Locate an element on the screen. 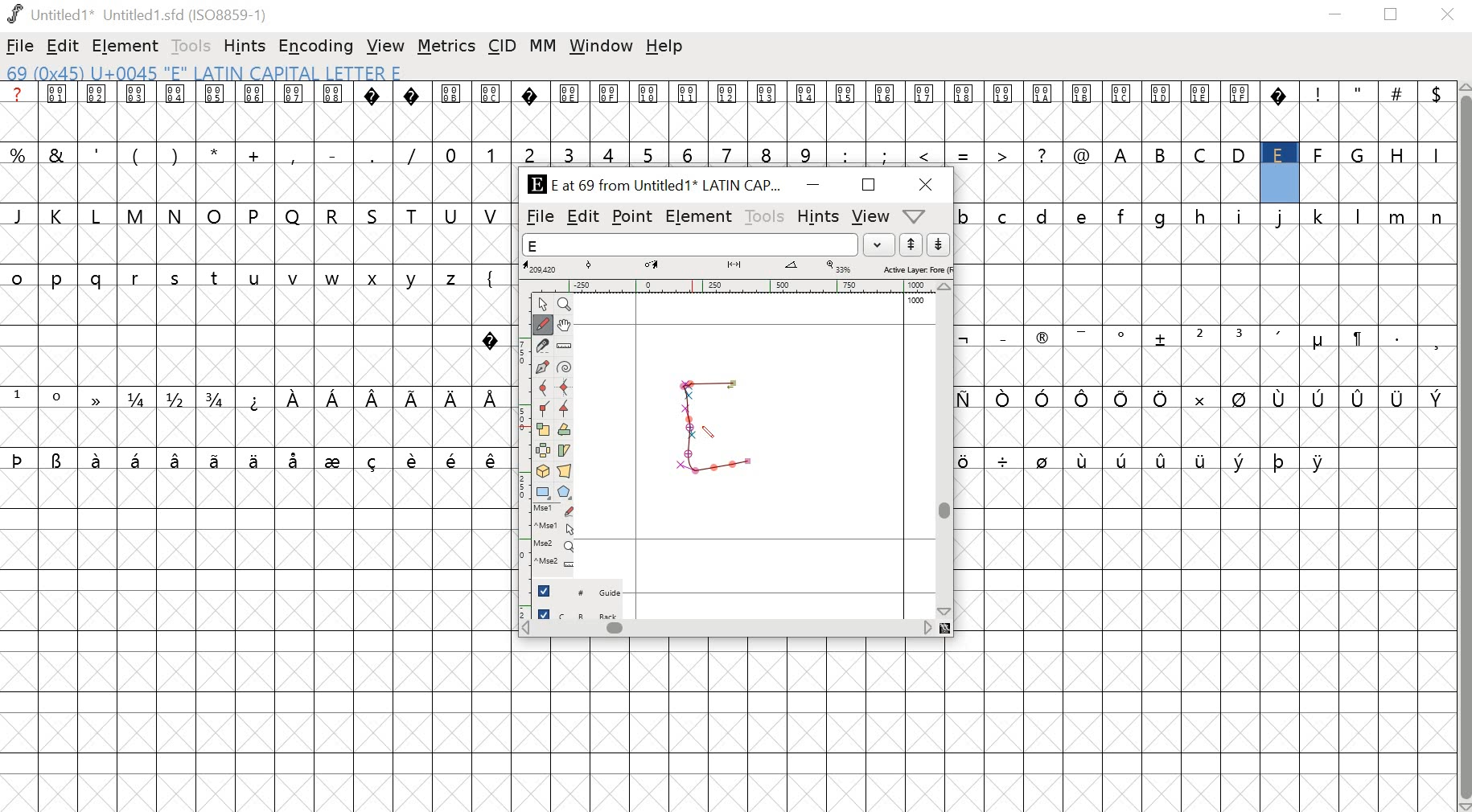  Rectangle/ellipse is located at coordinates (542, 493).